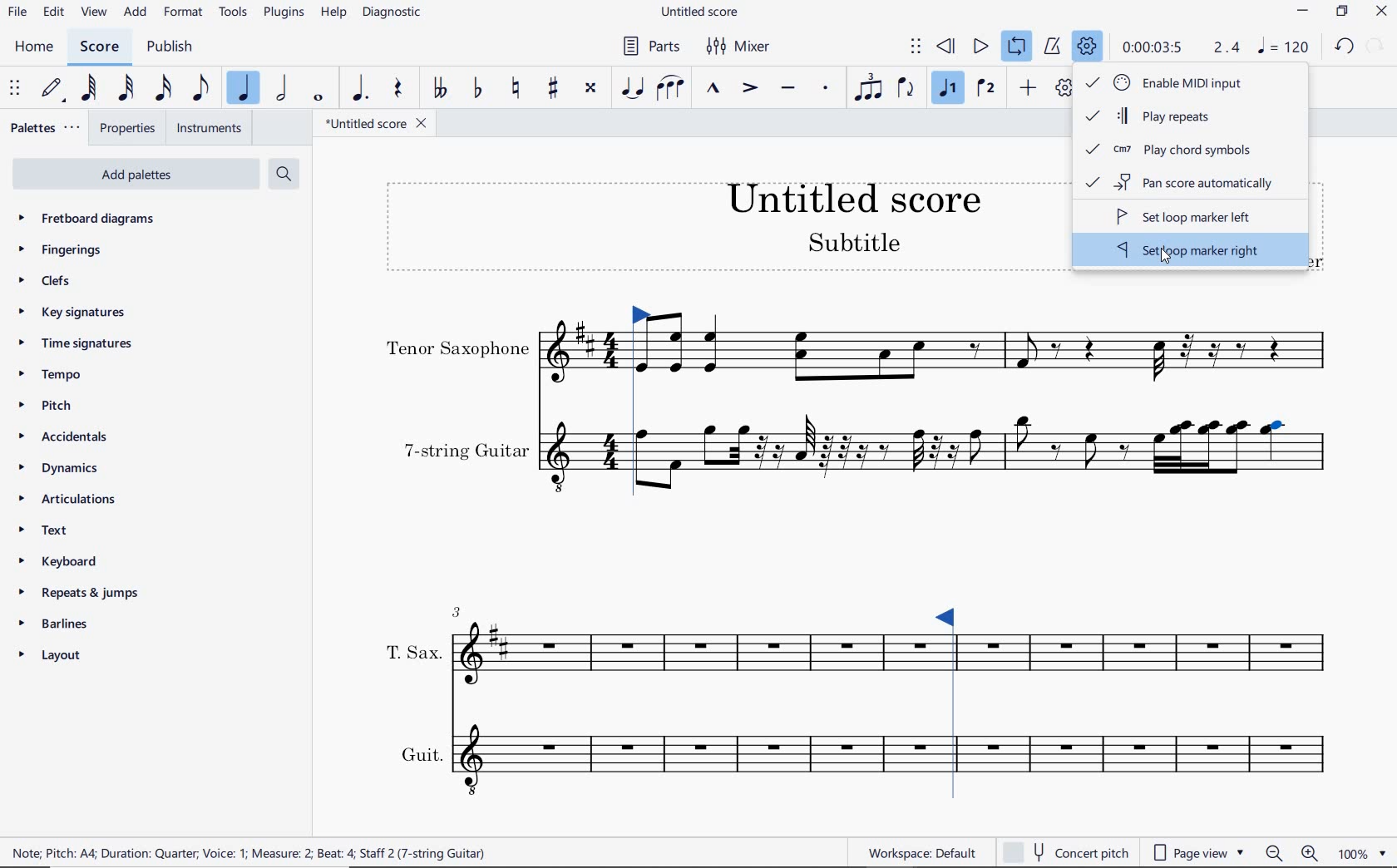 This screenshot has width=1397, height=868. Describe the element at coordinates (56, 560) in the screenshot. I see `KEYBOARD` at that location.